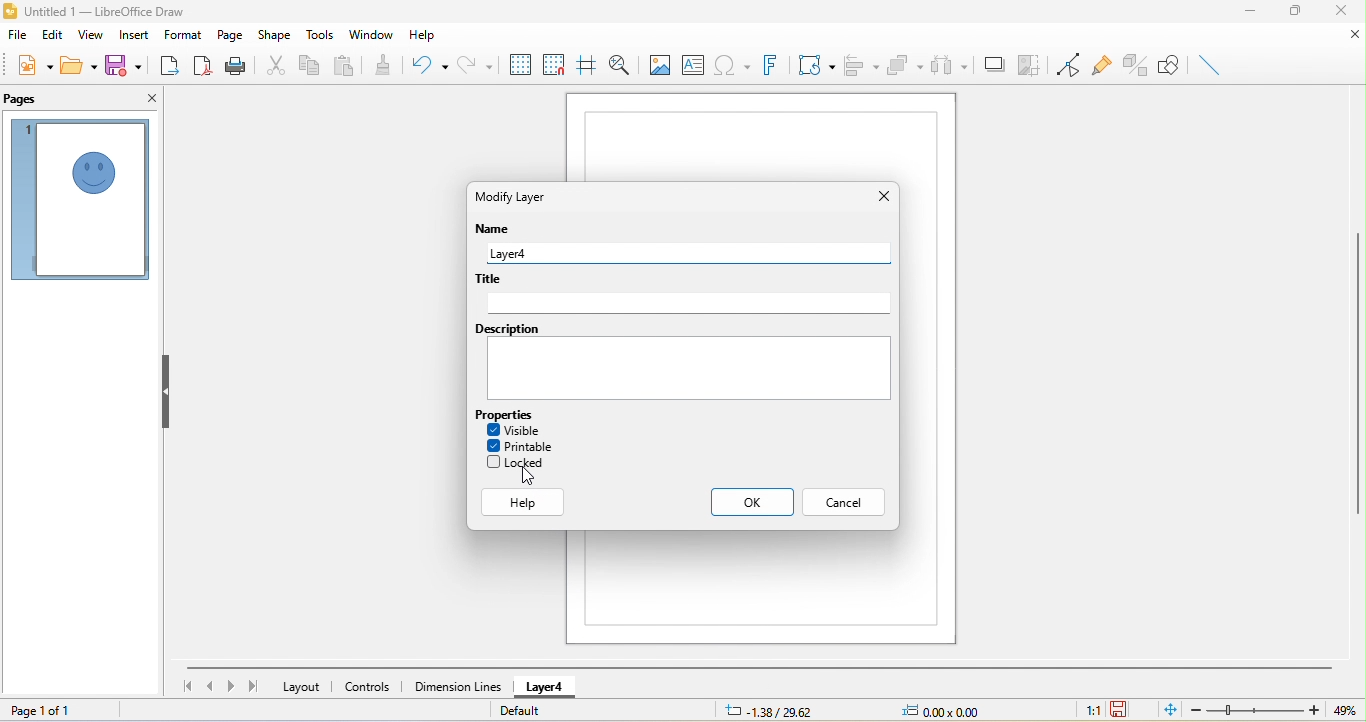  What do you see at coordinates (1104, 65) in the screenshot?
I see `glue point function` at bounding box center [1104, 65].